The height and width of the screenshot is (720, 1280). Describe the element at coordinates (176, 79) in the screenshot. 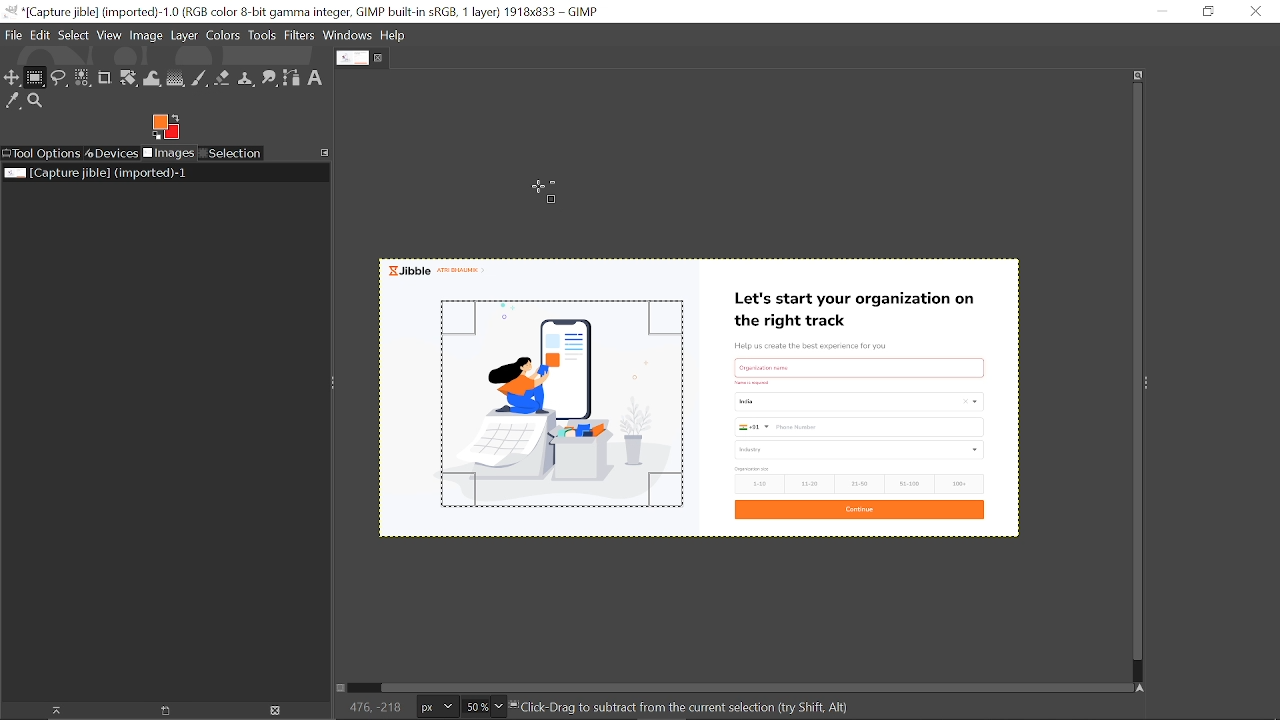

I see `Gradient tool` at that location.